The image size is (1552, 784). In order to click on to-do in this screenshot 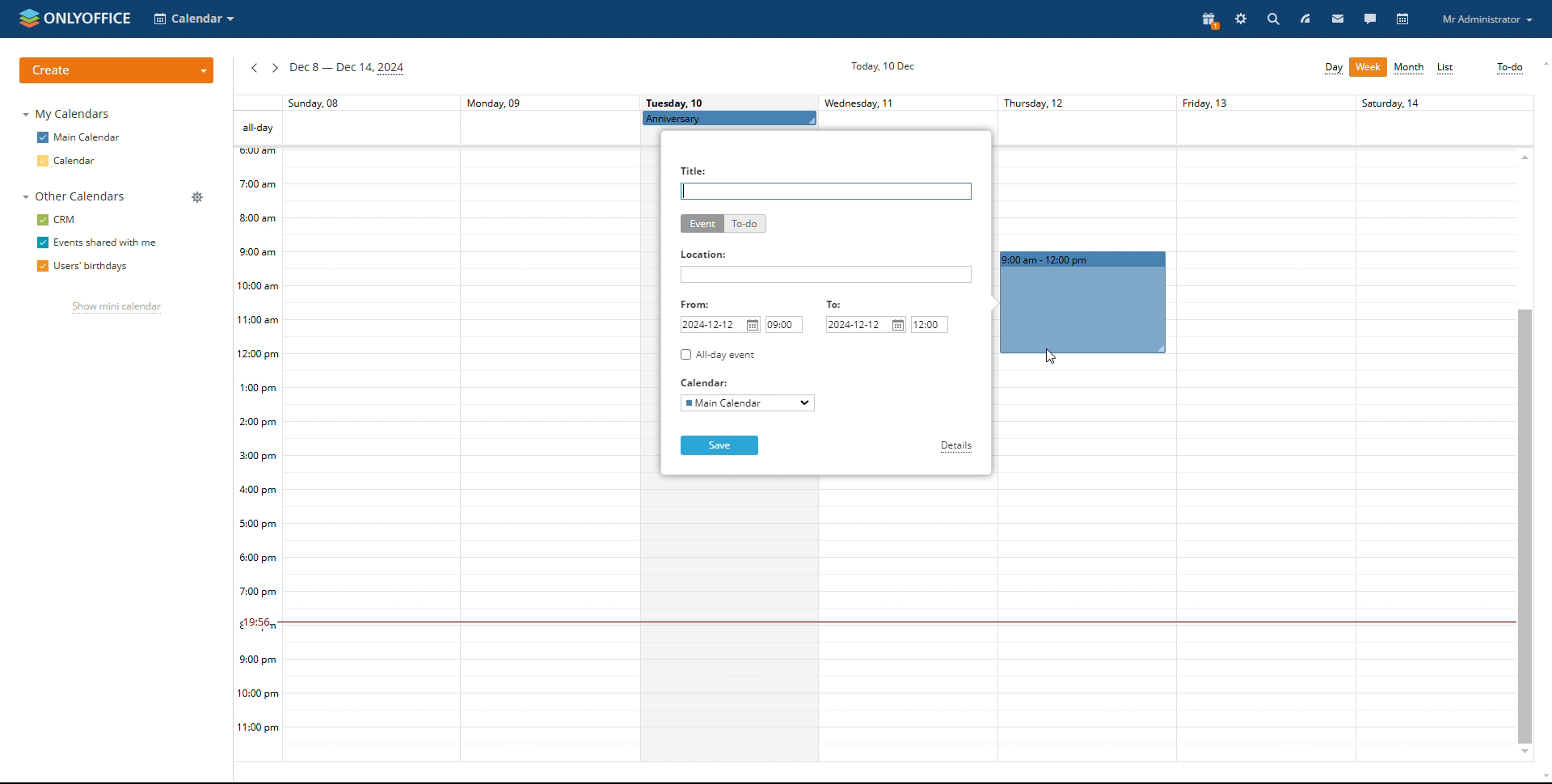, I will do `click(747, 224)`.